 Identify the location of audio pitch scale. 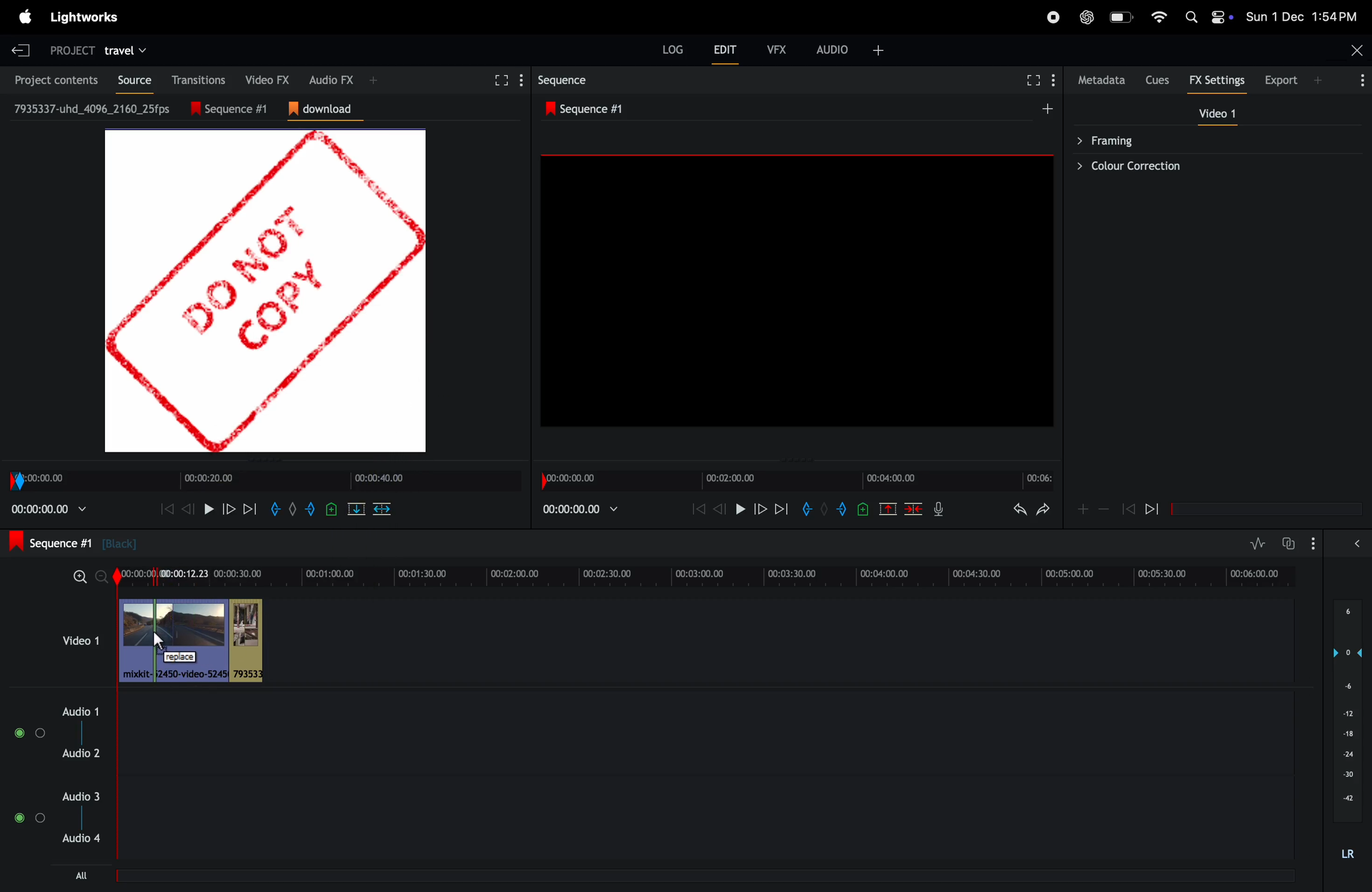
(1347, 711).